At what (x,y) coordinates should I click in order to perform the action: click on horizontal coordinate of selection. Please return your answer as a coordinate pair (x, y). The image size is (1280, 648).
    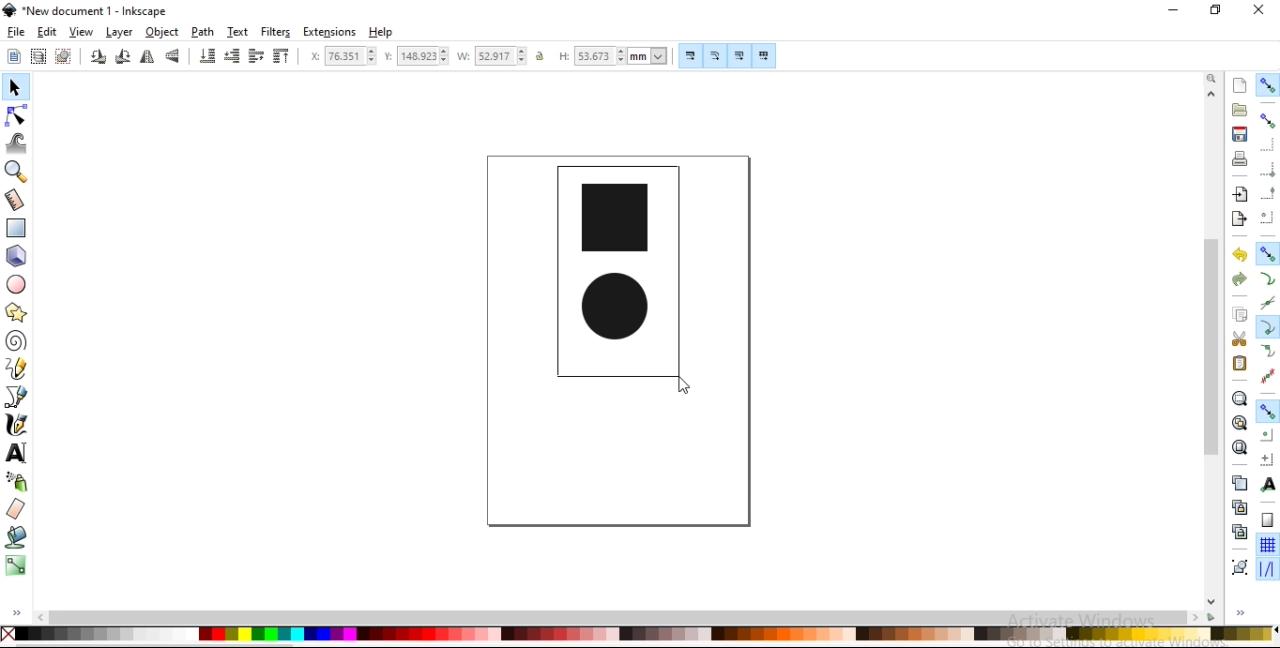
    Looking at the image, I should click on (342, 57).